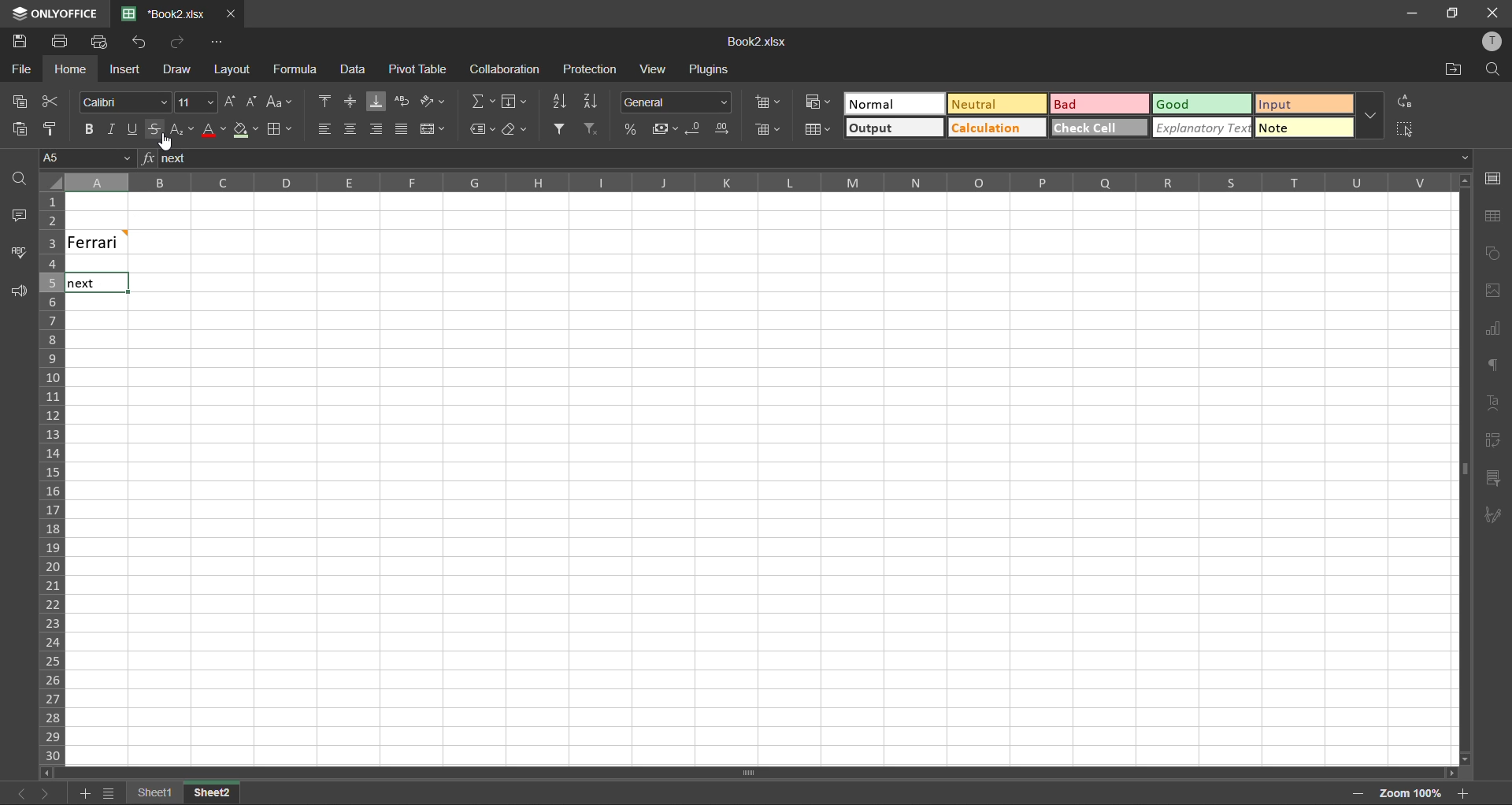  What do you see at coordinates (167, 13) in the screenshot?
I see `Book2.xlsx` at bounding box center [167, 13].